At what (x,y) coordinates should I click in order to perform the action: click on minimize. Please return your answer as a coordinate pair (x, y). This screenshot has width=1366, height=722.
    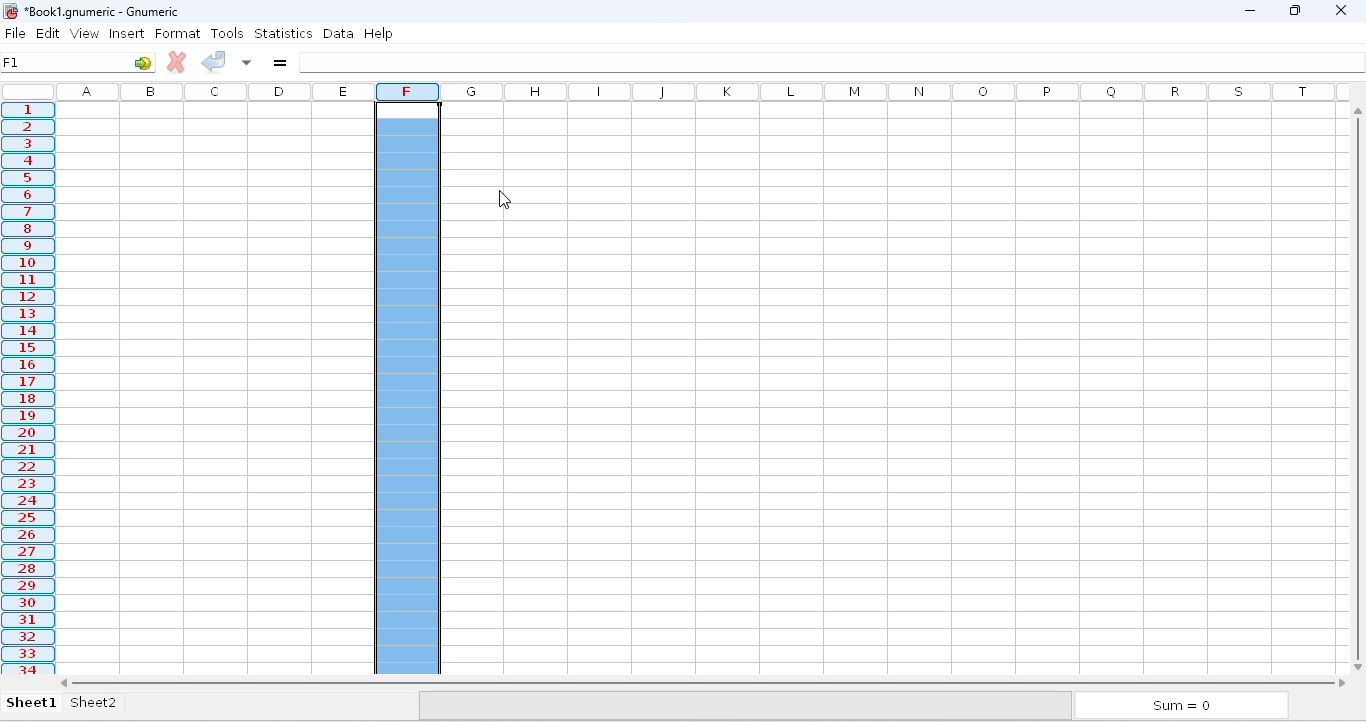
    Looking at the image, I should click on (1249, 10).